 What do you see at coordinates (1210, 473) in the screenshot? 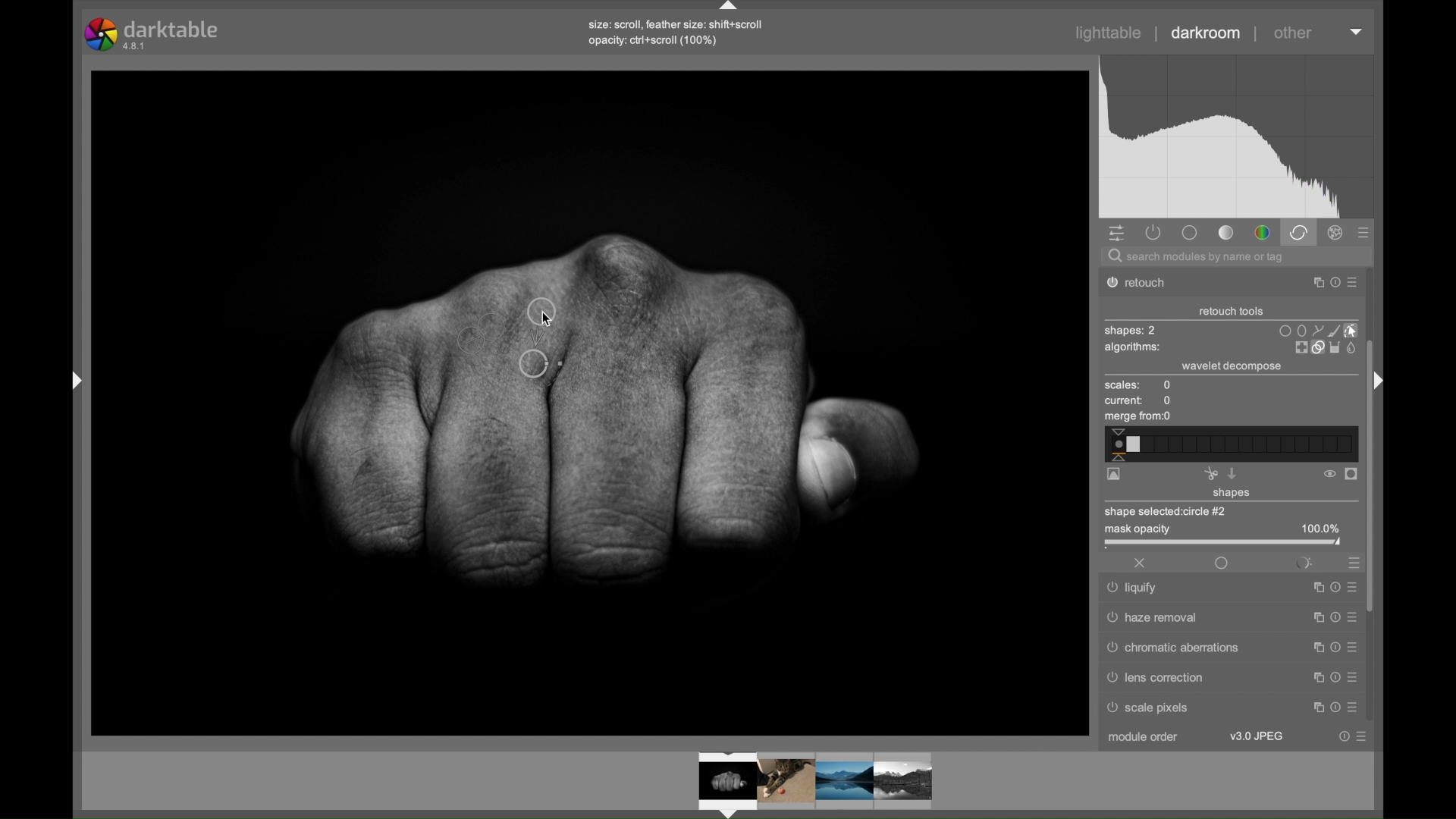
I see `cut` at bounding box center [1210, 473].